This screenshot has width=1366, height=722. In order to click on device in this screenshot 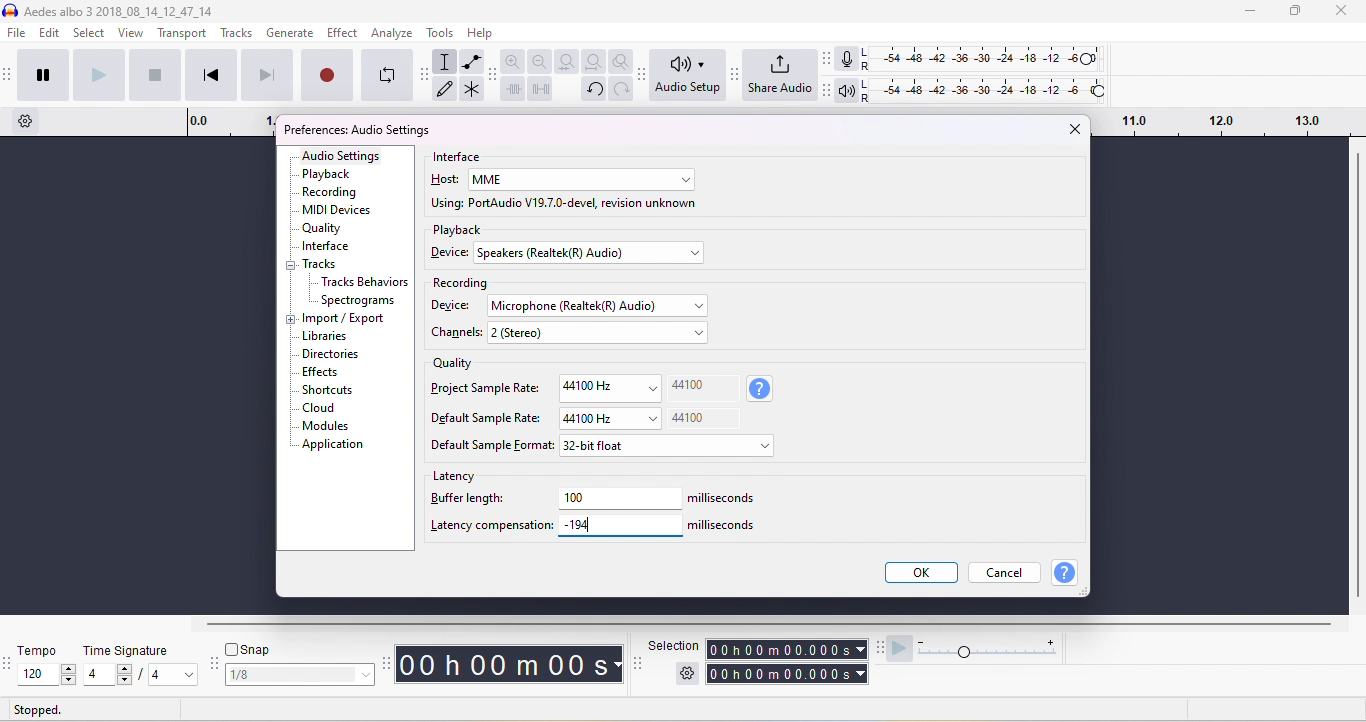, I will do `click(451, 305)`.